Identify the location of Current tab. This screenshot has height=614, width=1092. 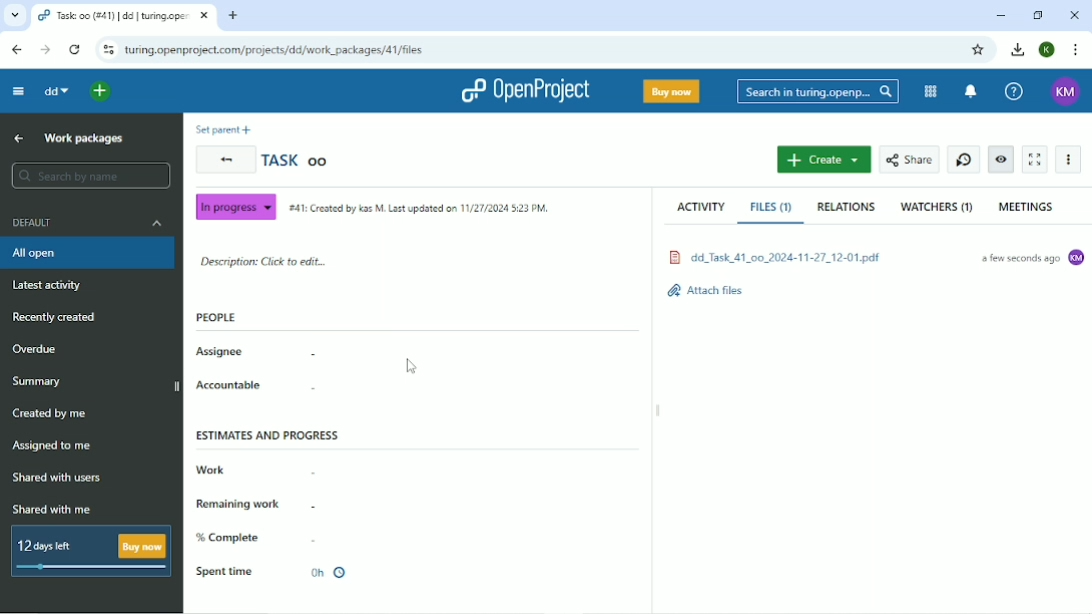
(124, 17).